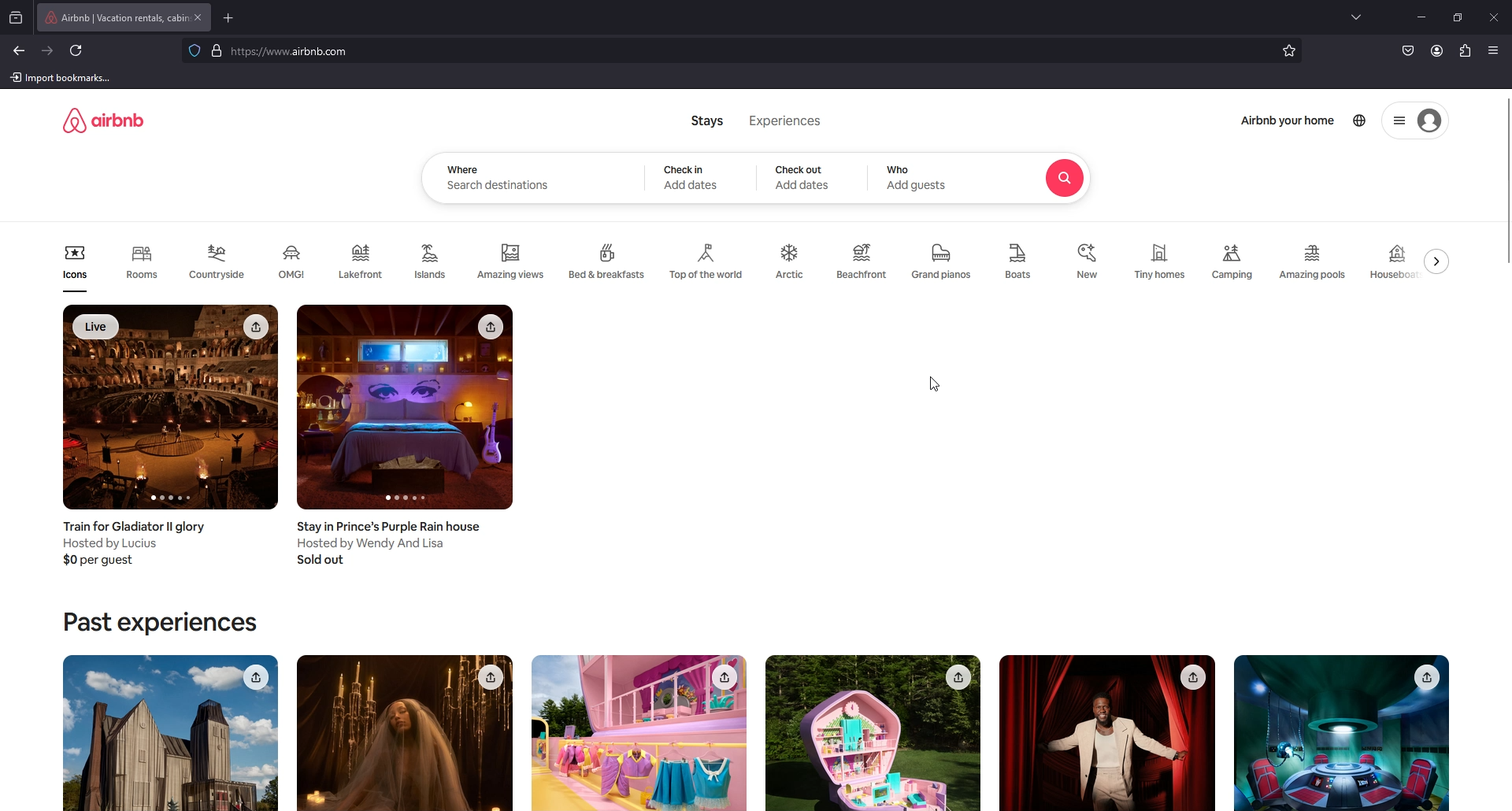 The height and width of the screenshot is (811, 1512). I want to click on image, so click(1340, 733).